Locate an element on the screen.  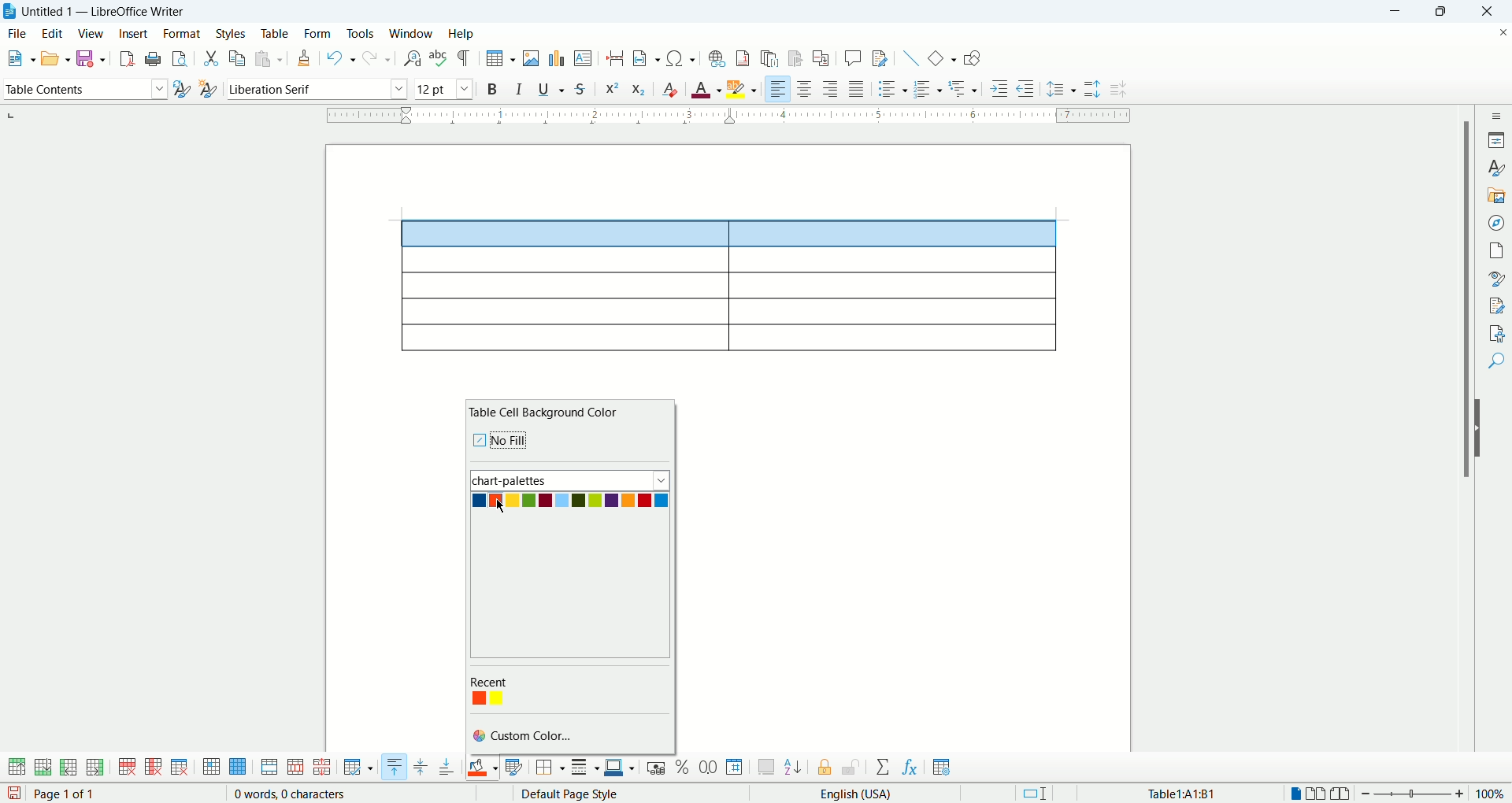
maximize is located at coordinates (1443, 12).